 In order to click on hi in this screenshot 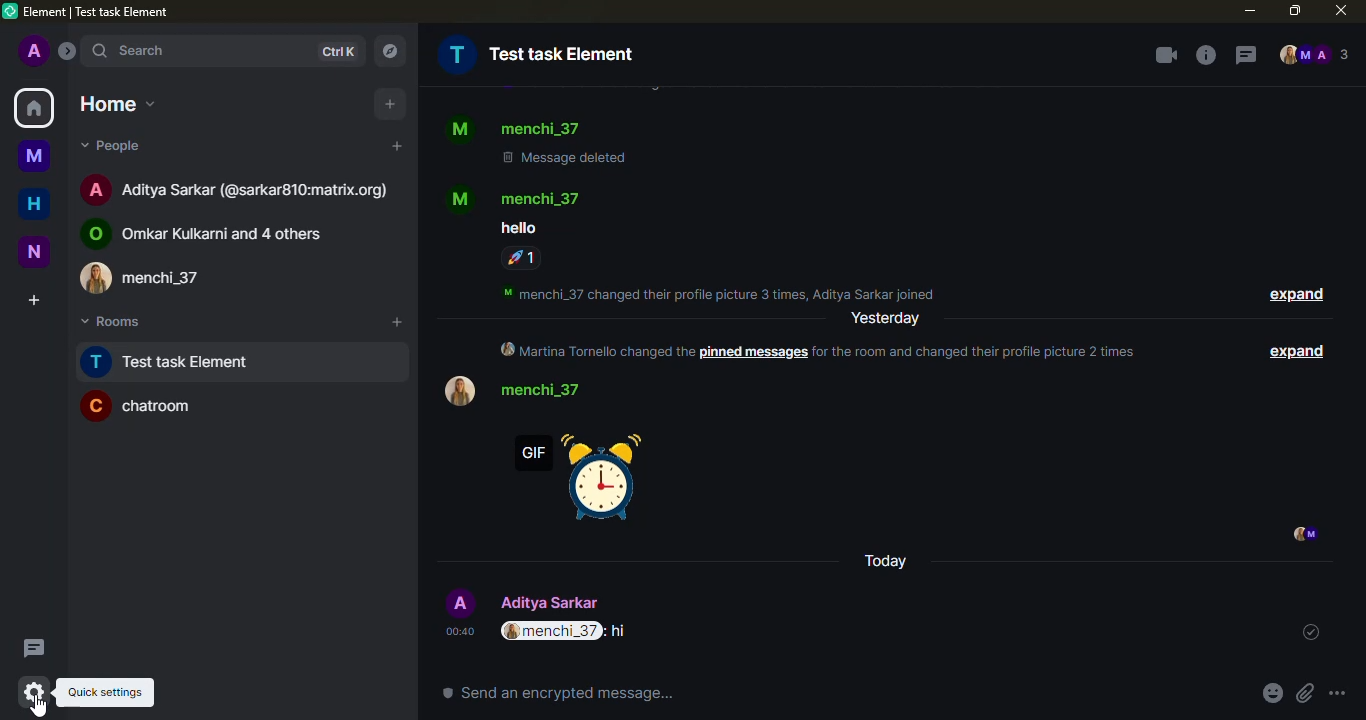, I will do `click(622, 632)`.